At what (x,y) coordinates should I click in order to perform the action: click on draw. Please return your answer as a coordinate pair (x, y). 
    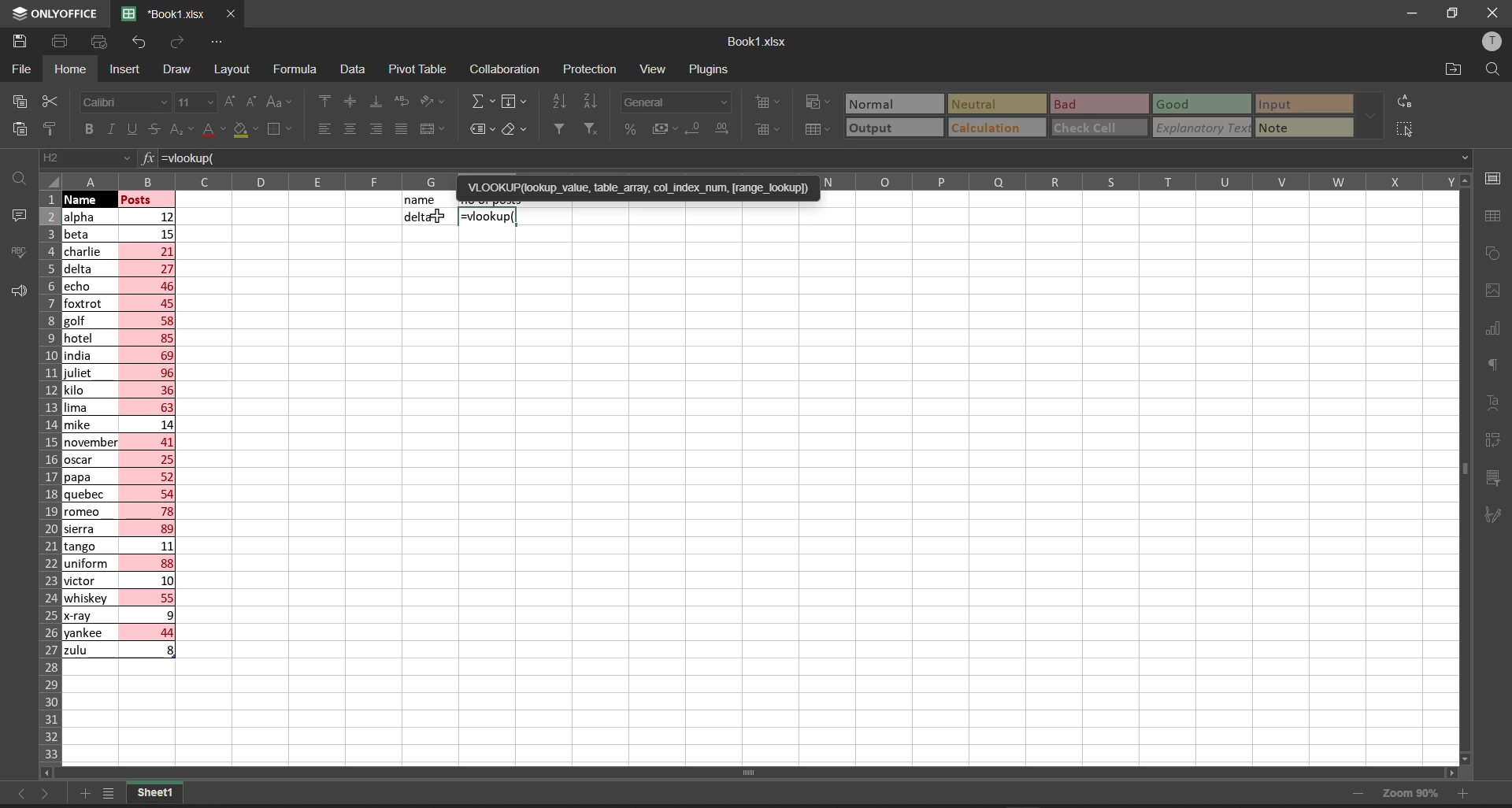
    Looking at the image, I should click on (174, 69).